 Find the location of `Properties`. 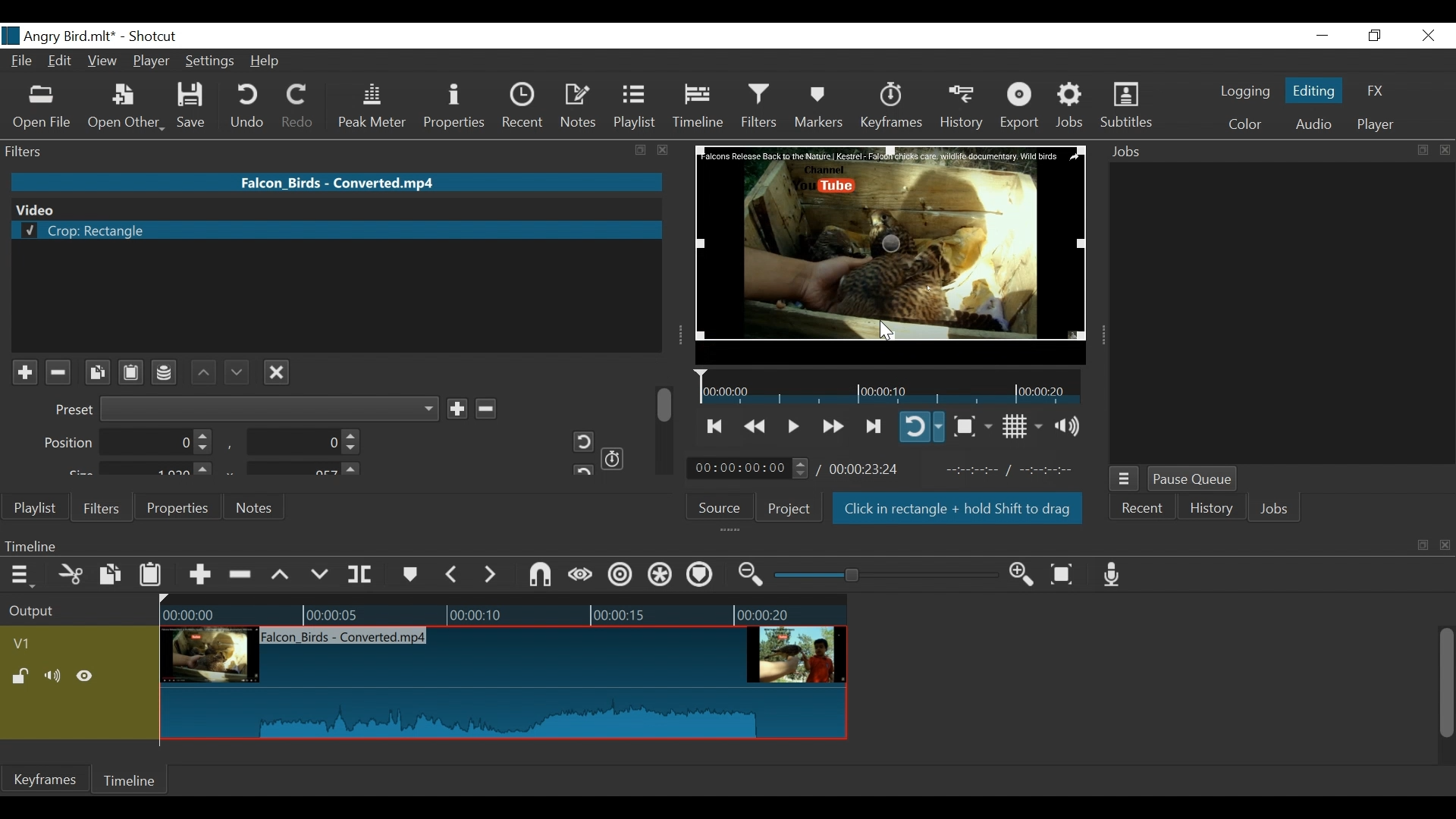

Properties is located at coordinates (175, 507).